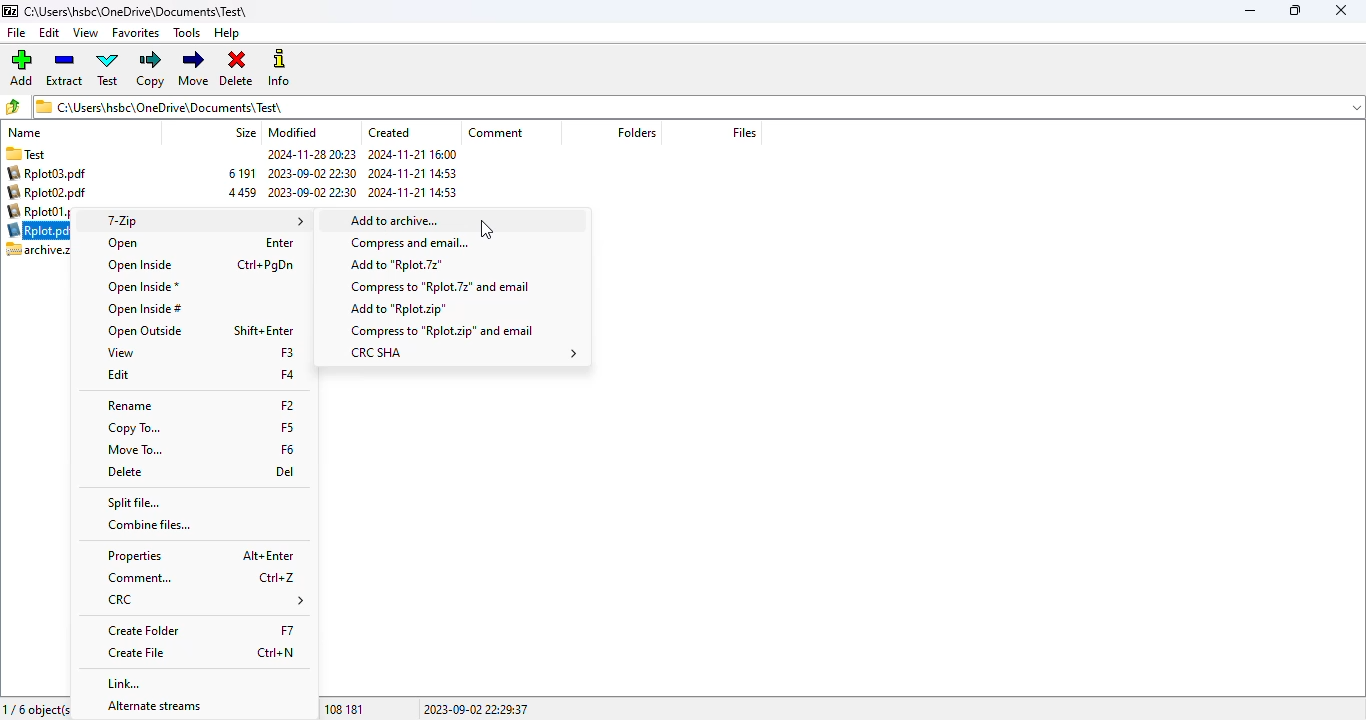 This screenshot has width=1366, height=720. What do you see at coordinates (145, 310) in the screenshot?
I see `open inside#` at bounding box center [145, 310].